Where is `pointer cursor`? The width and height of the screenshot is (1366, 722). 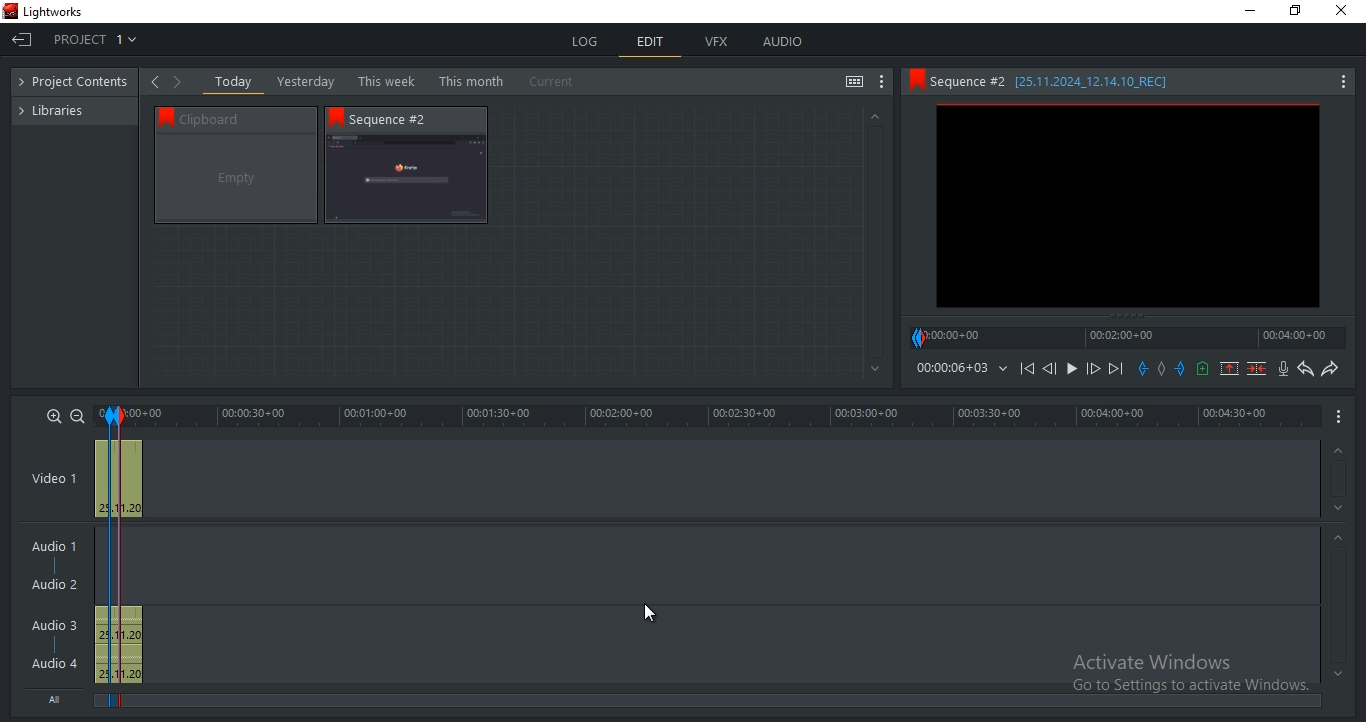 pointer cursor is located at coordinates (650, 612).